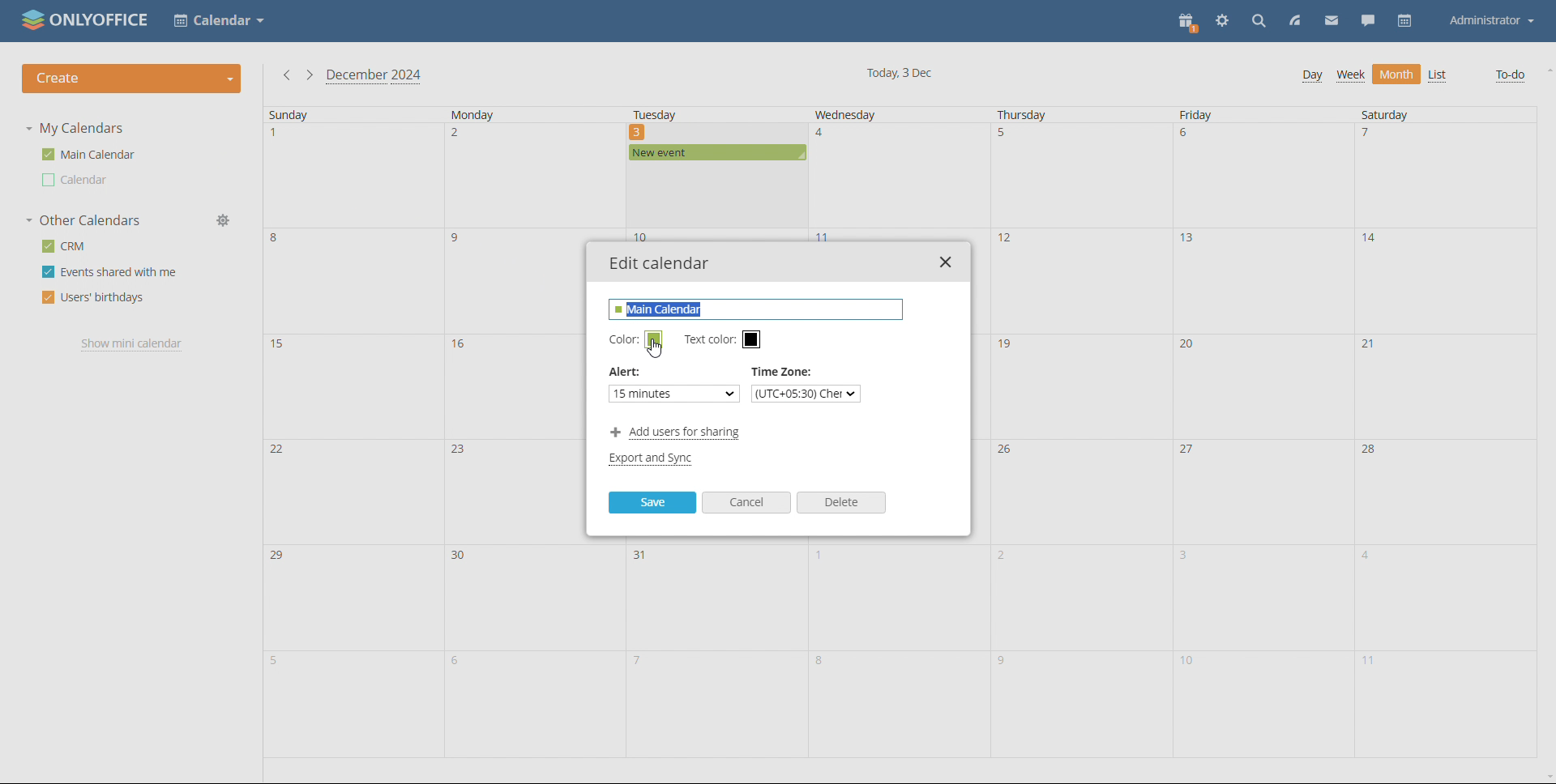 The image size is (1556, 784). What do you see at coordinates (900, 176) in the screenshot?
I see `date` at bounding box center [900, 176].